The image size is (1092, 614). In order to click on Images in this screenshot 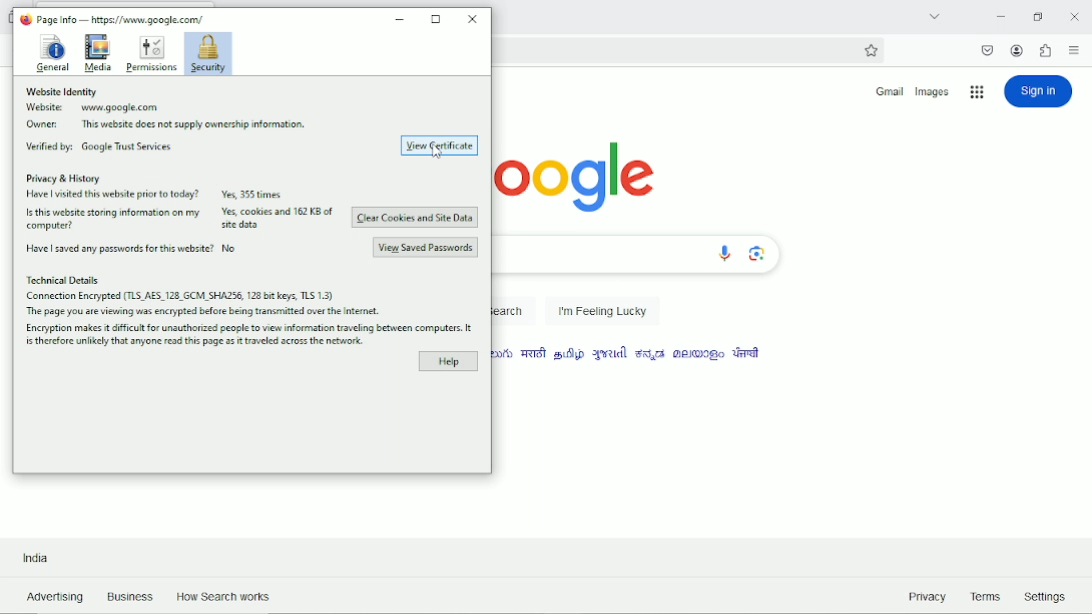, I will do `click(935, 92)`.